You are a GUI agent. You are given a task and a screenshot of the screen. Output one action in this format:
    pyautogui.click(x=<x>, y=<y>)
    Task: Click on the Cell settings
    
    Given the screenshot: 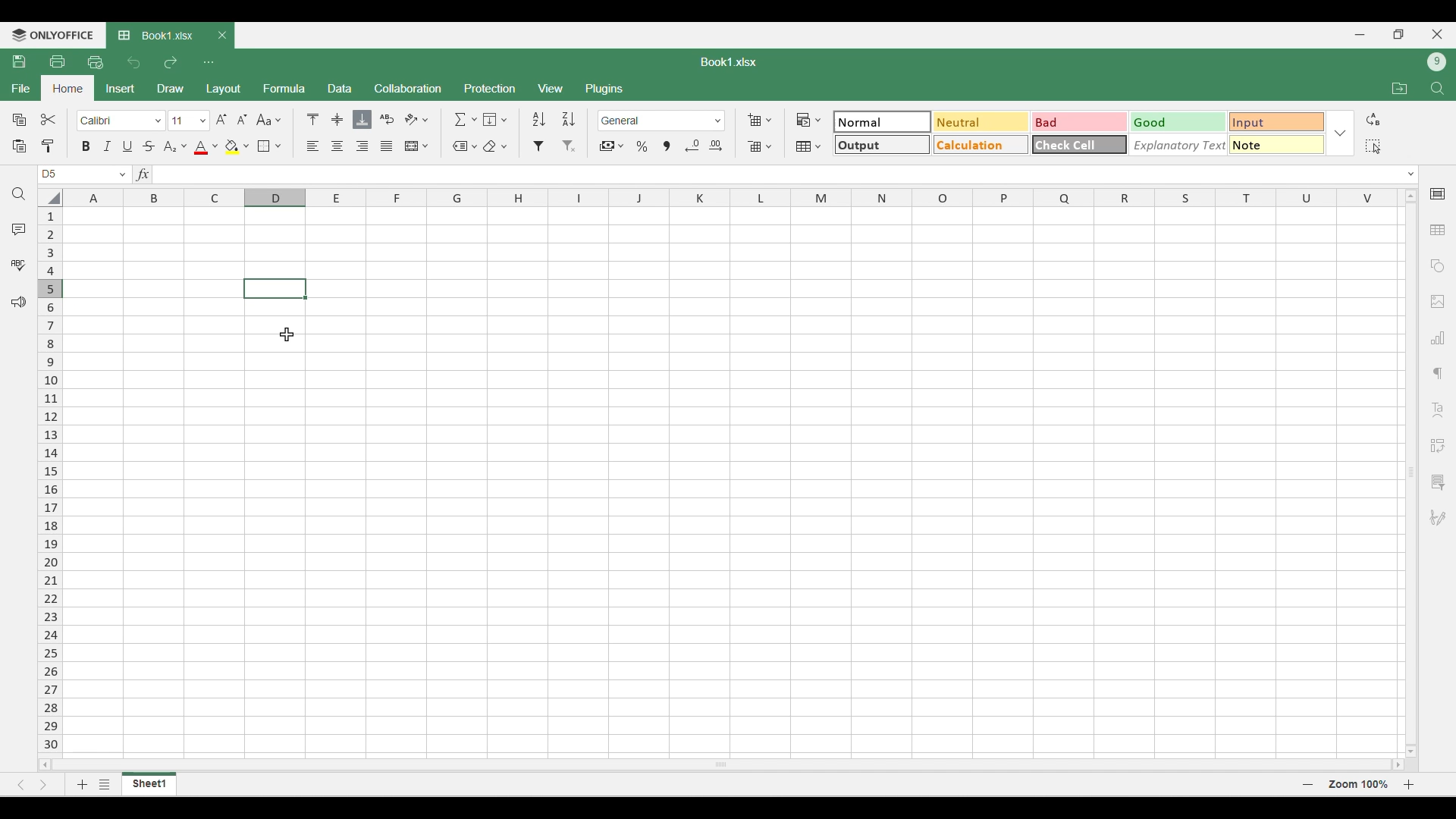 What is the action you would take?
    pyautogui.click(x=1439, y=194)
    